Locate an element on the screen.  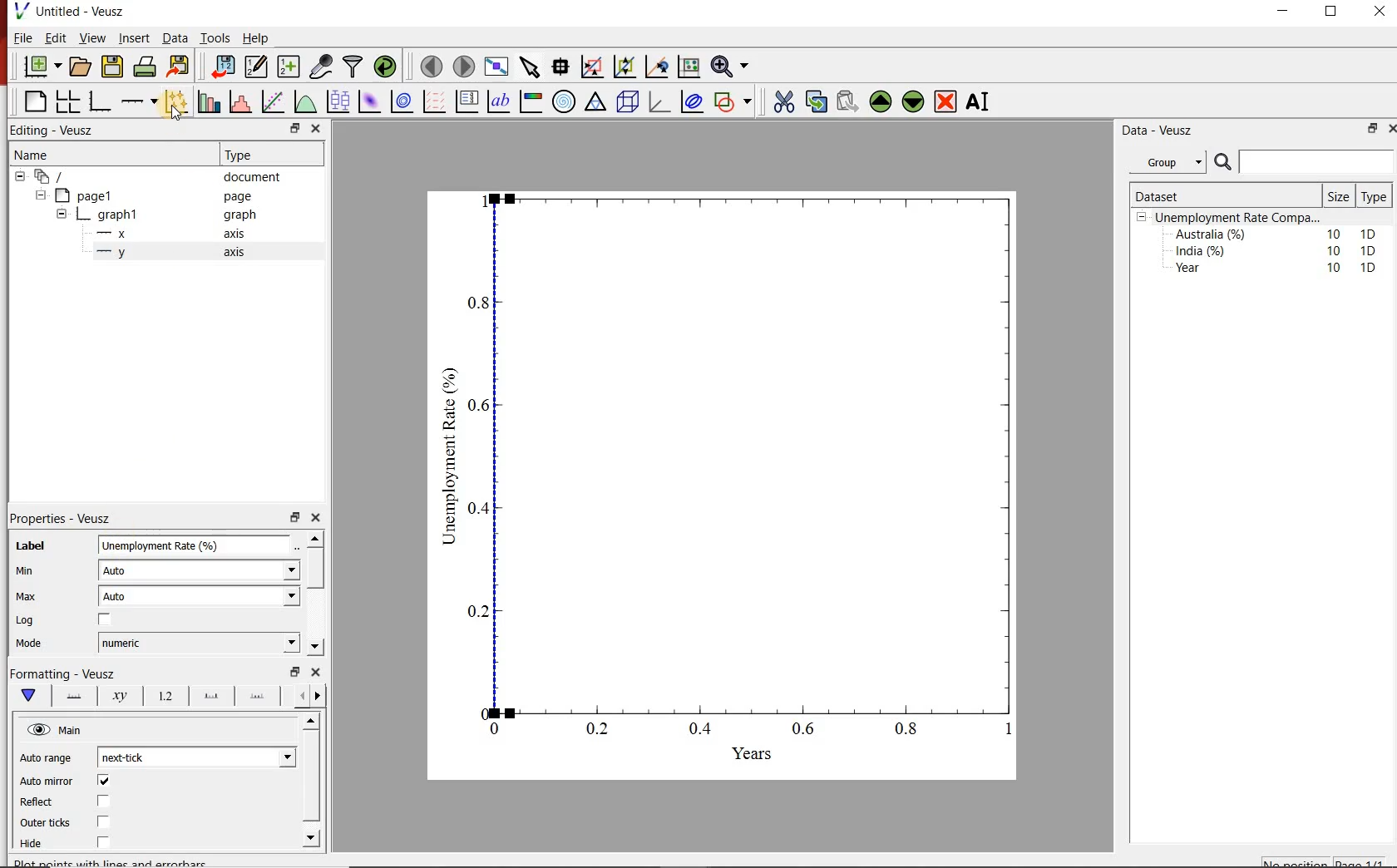
minimise is located at coordinates (295, 670).